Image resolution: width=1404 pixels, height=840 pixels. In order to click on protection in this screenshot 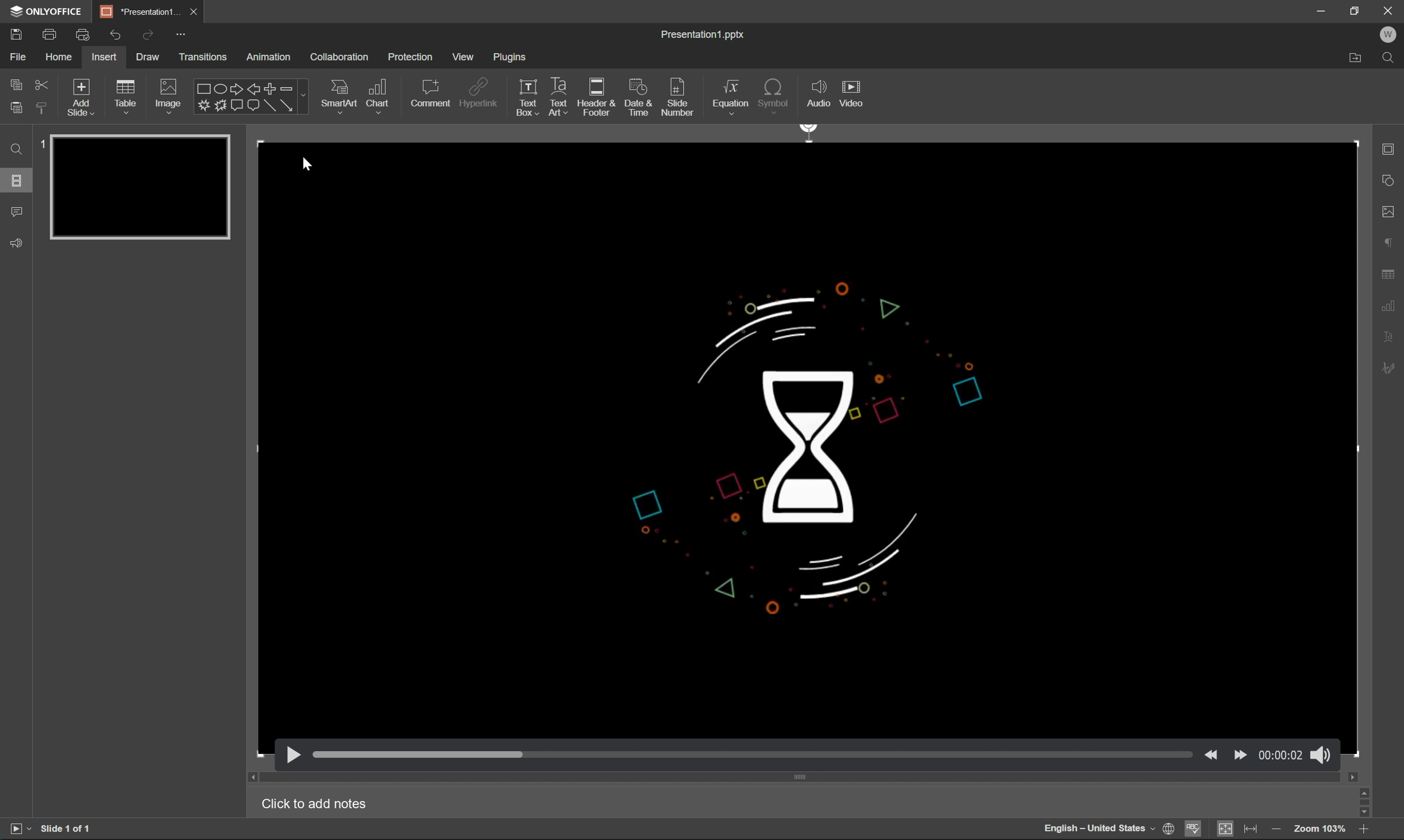, I will do `click(413, 56)`.